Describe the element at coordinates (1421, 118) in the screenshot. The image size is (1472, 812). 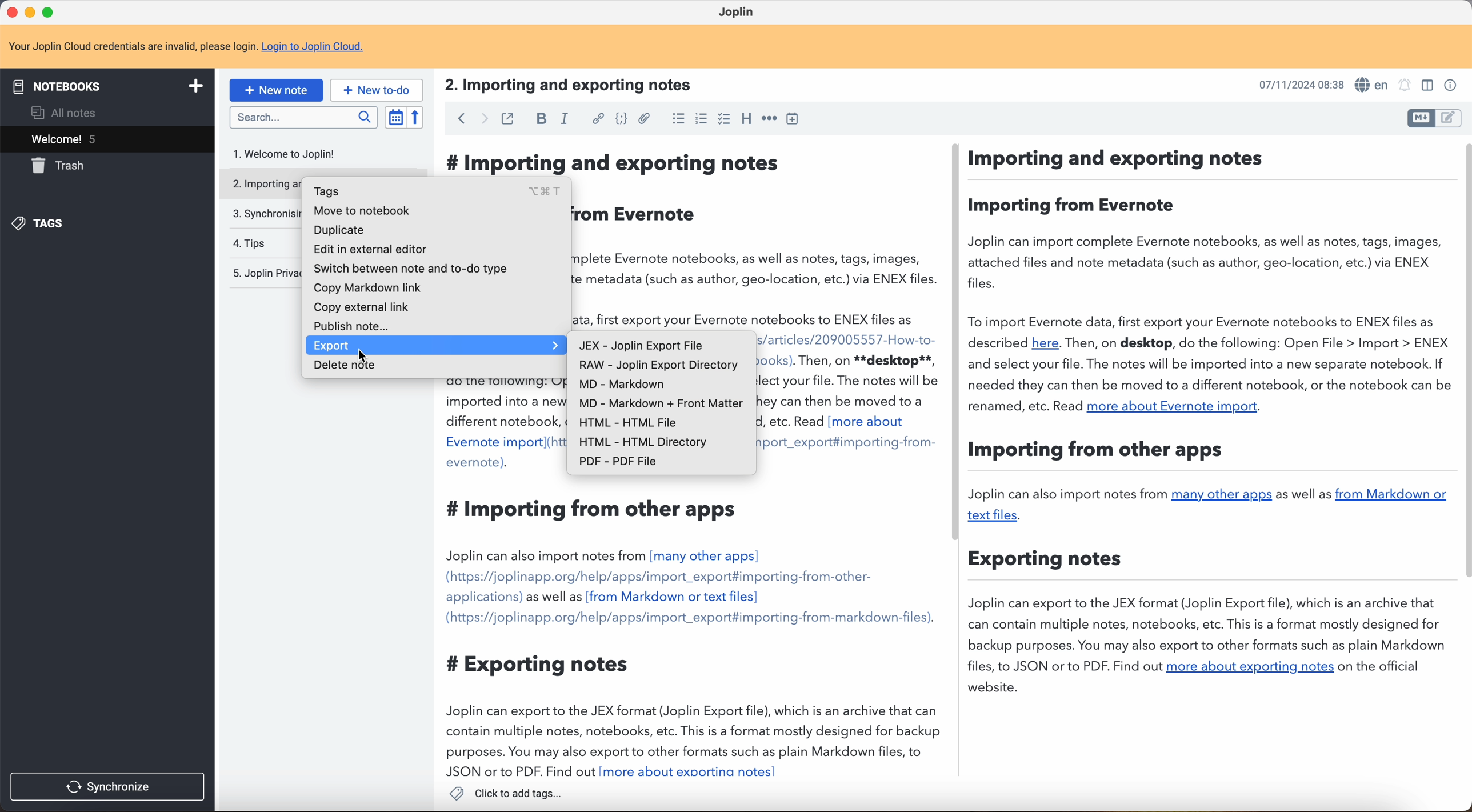
I see `toggle editor layout` at that location.